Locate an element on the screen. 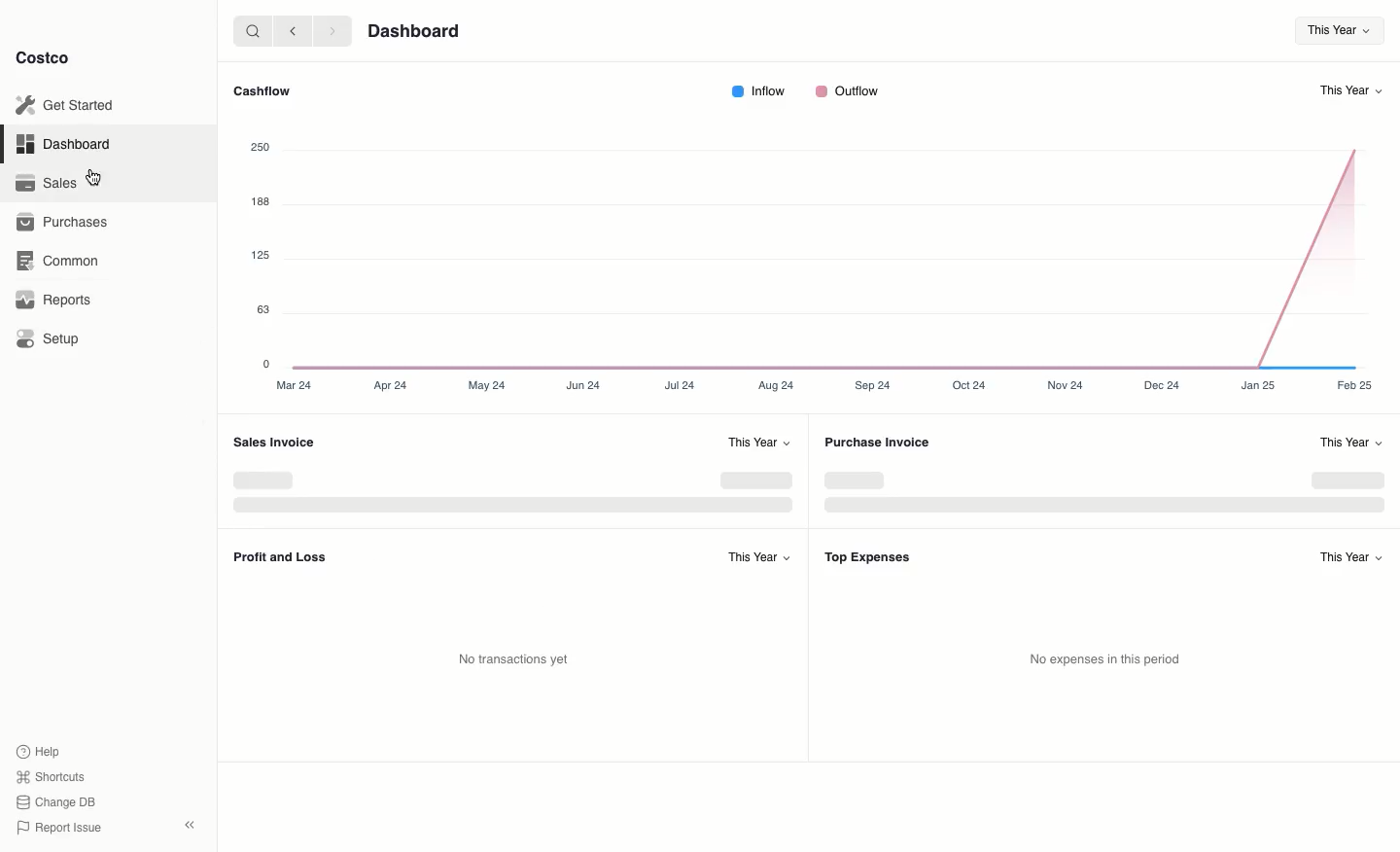 This screenshot has width=1400, height=852. No expenses in this period is located at coordinates (1105, 659).